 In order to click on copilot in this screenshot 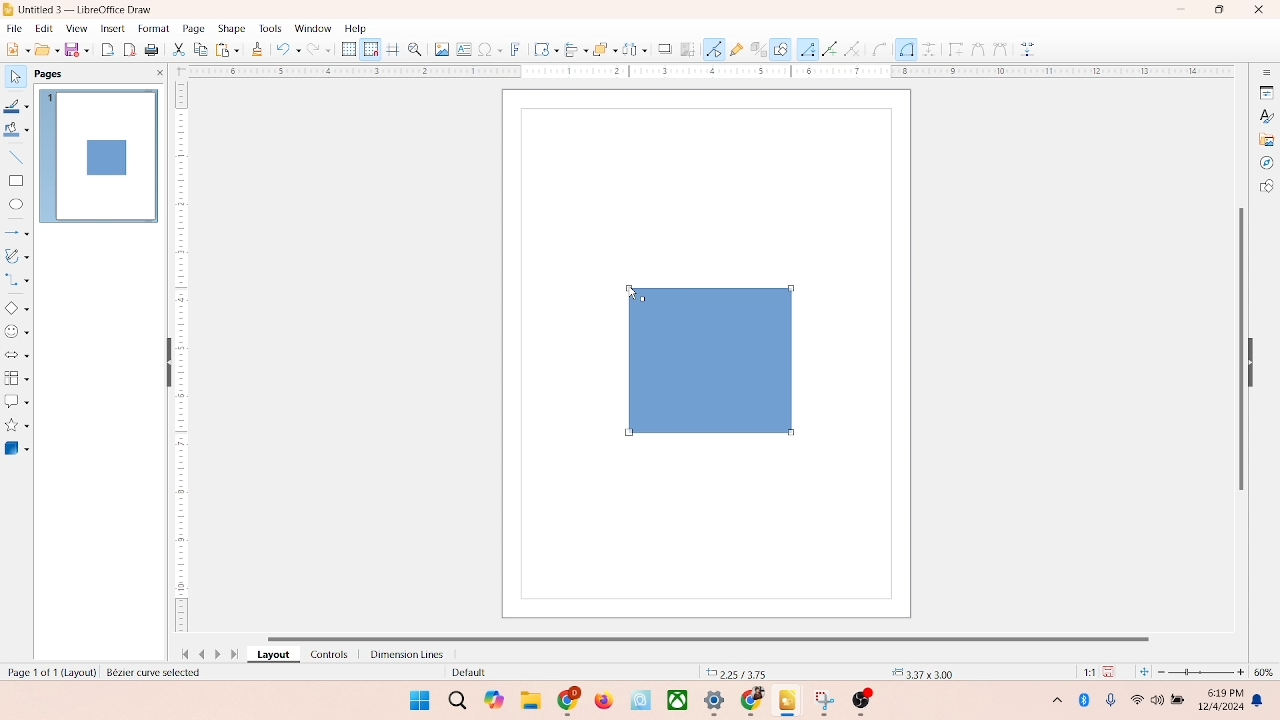, I will do `click(496, 700)`.